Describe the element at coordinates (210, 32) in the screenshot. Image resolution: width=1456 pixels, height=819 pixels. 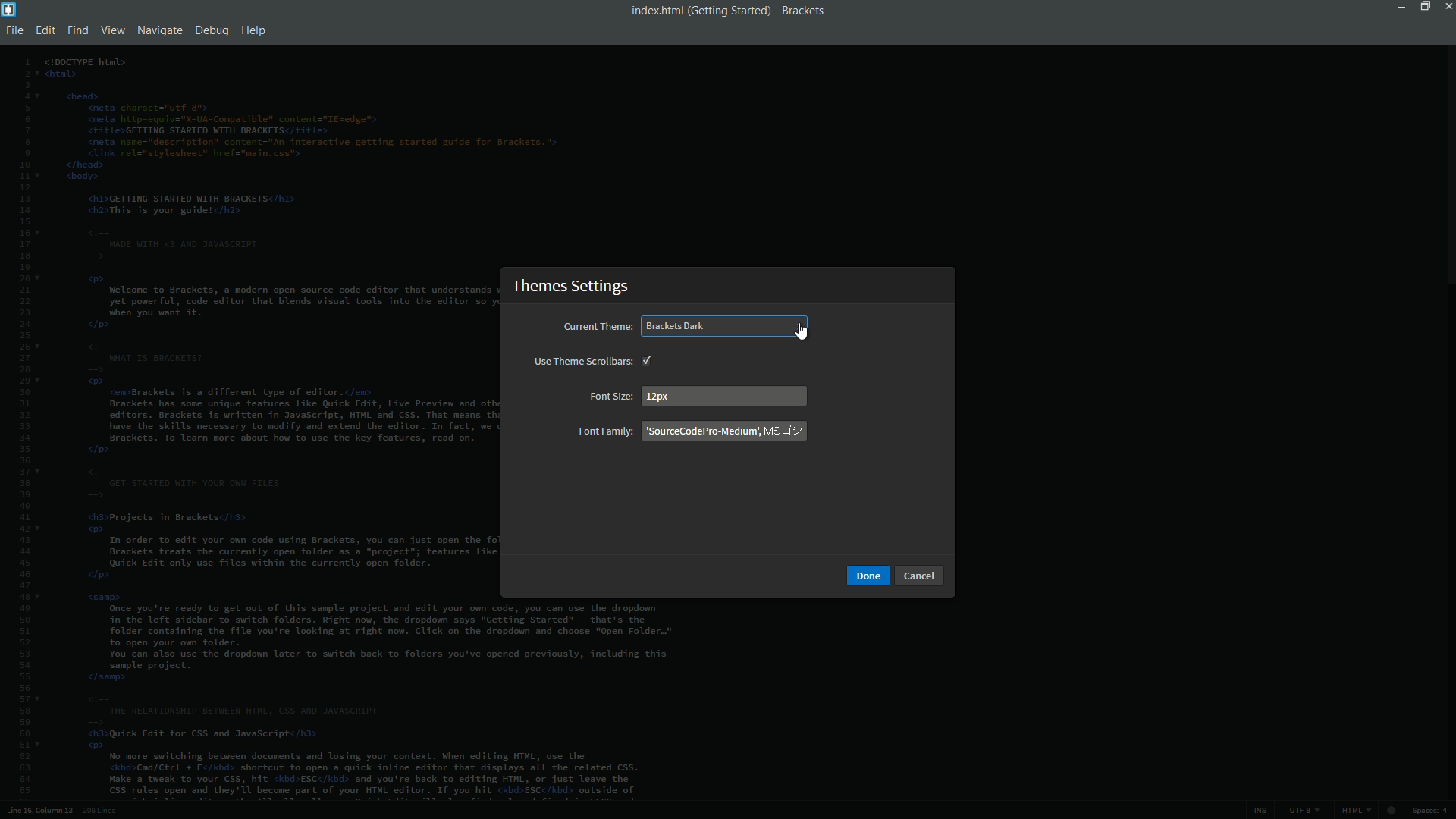
I see `debug menu` at that location.